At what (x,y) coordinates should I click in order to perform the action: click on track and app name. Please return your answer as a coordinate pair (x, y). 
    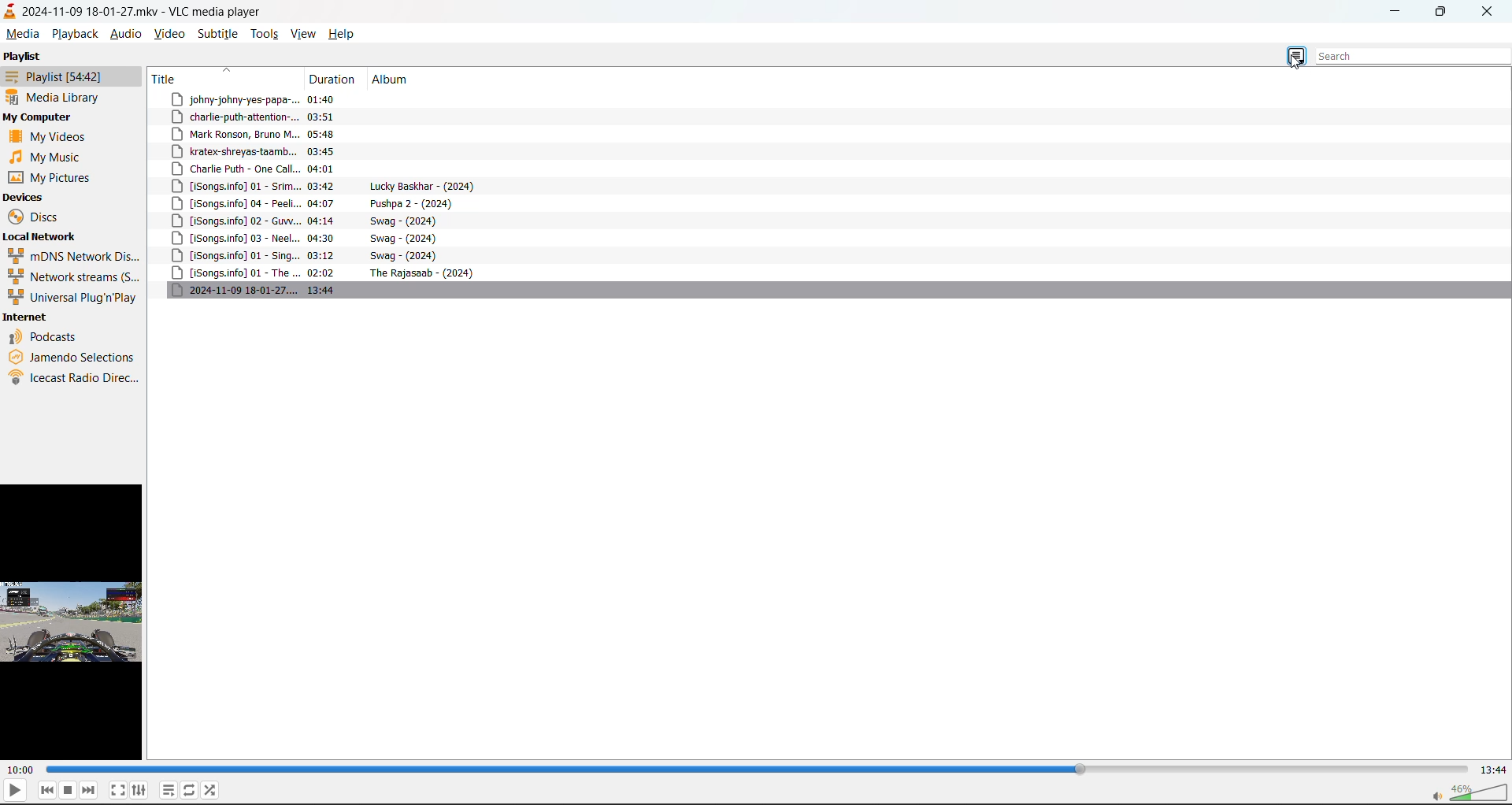
    Looking at the image, I should click on (132, 11).